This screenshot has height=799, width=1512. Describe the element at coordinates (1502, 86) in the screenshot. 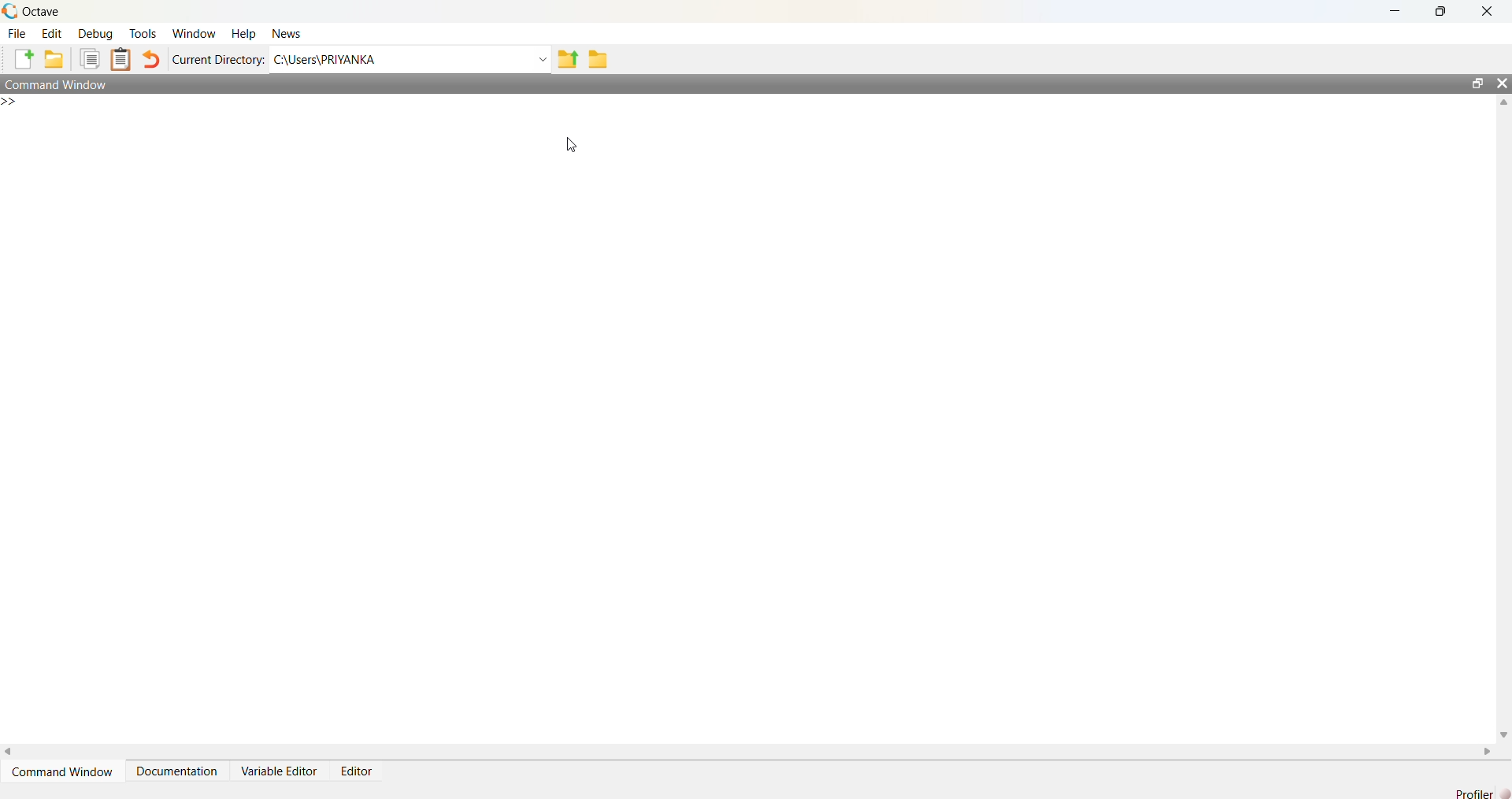

I see `Close` at that location.